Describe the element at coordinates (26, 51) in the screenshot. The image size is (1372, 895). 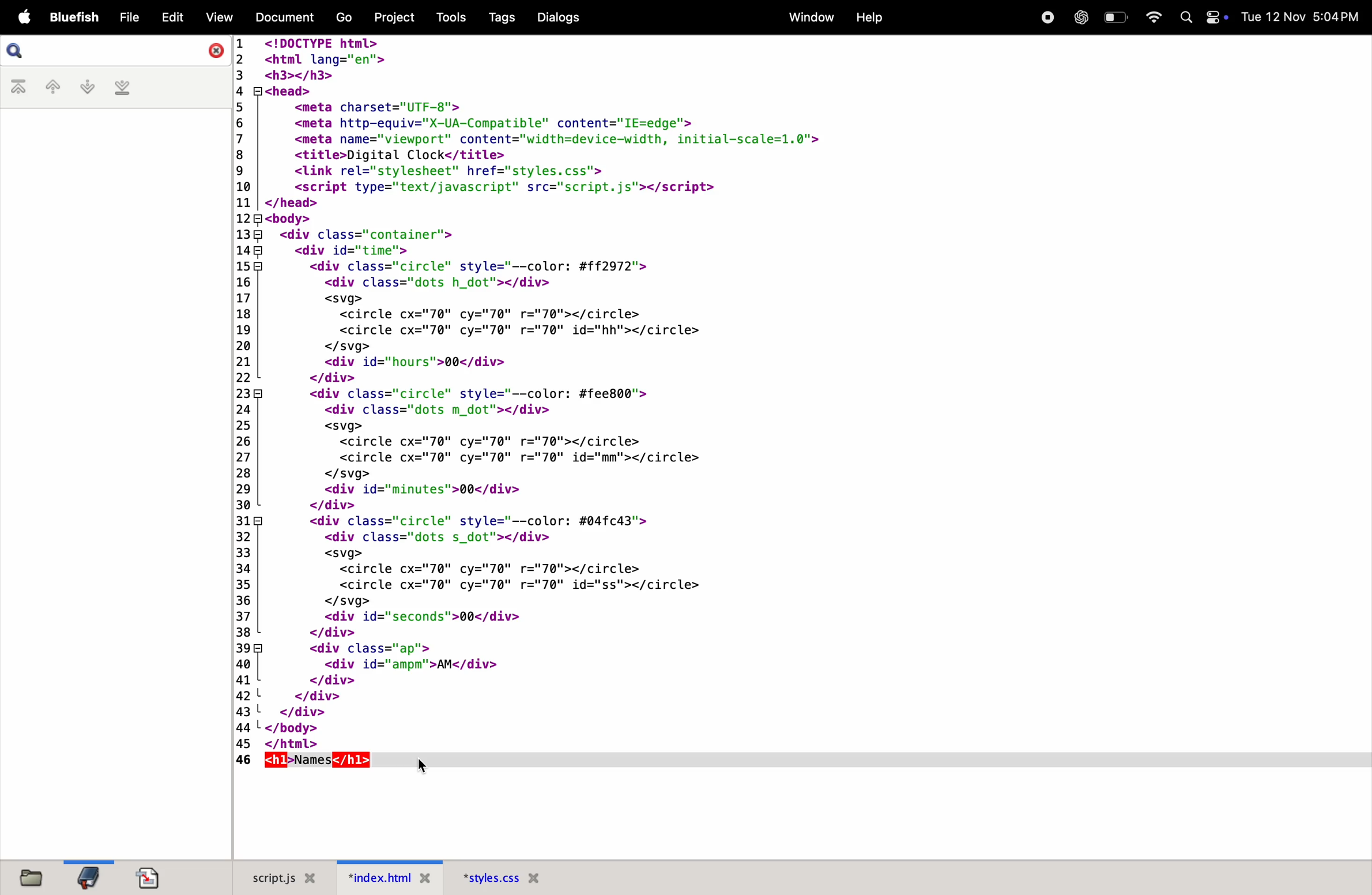
I see `search` at that location.